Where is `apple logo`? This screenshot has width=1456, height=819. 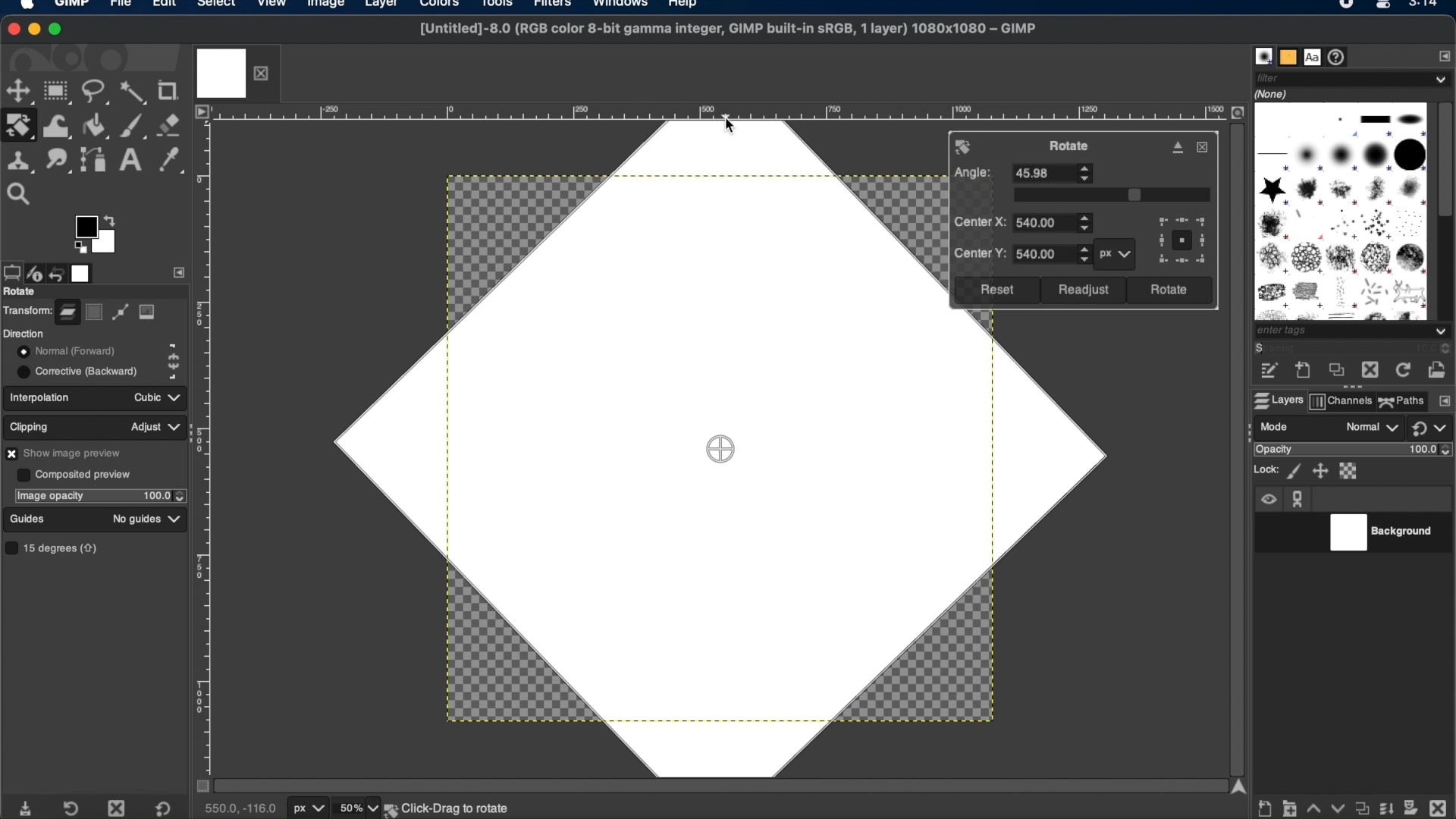
apple logo is located at coordinates (26, 8).